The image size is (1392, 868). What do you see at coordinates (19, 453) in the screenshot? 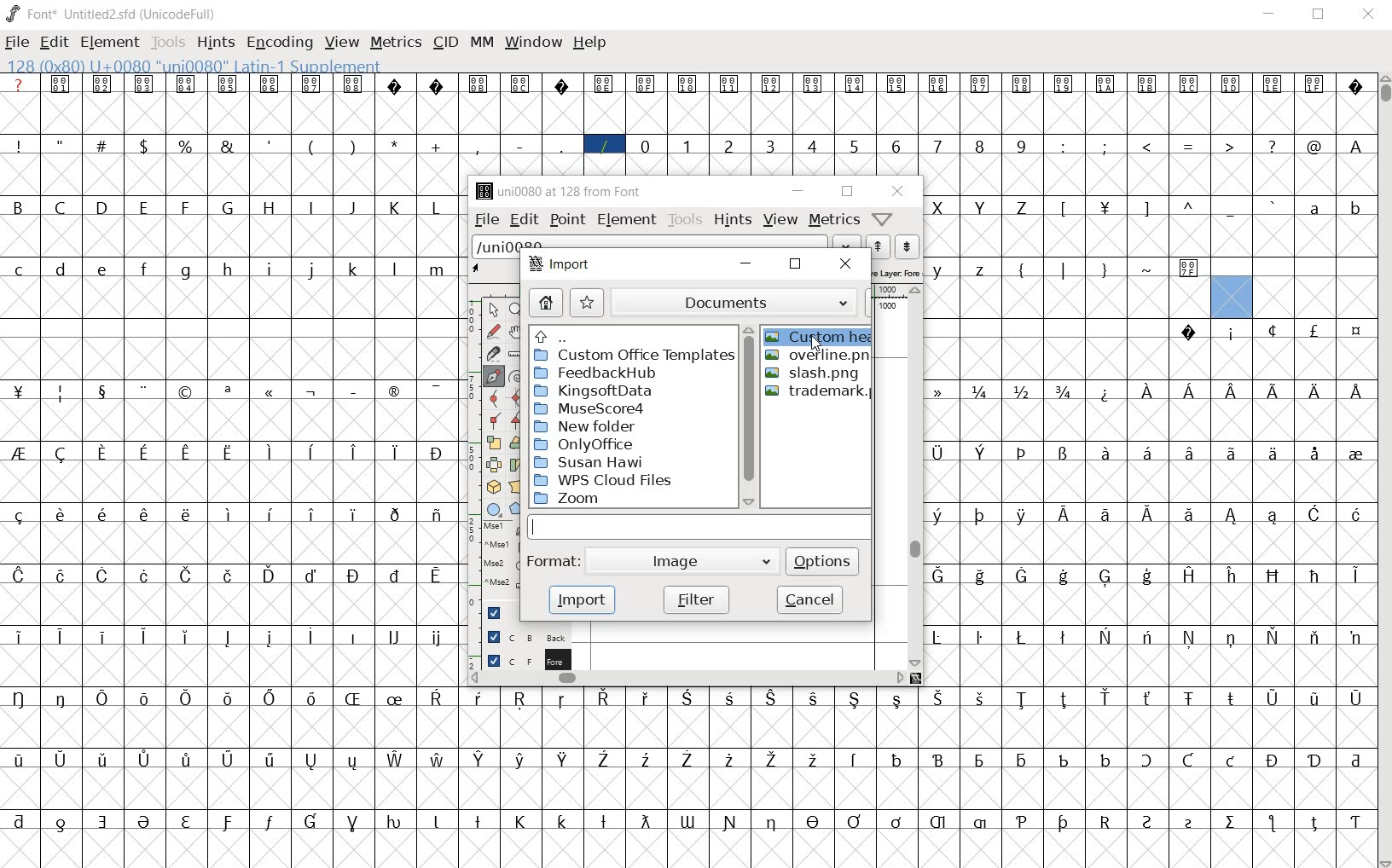
I see `glyph` at bounding box center [19, 453].